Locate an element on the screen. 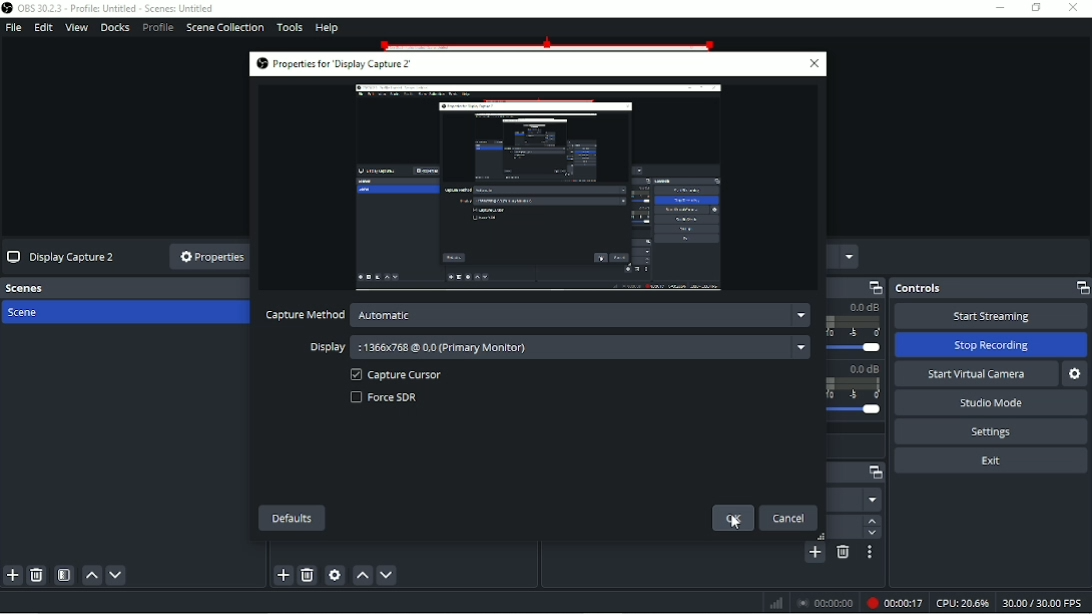 This screenshot has height=614, width=1092. Move source(s) down is located at coordinates (387, 575).